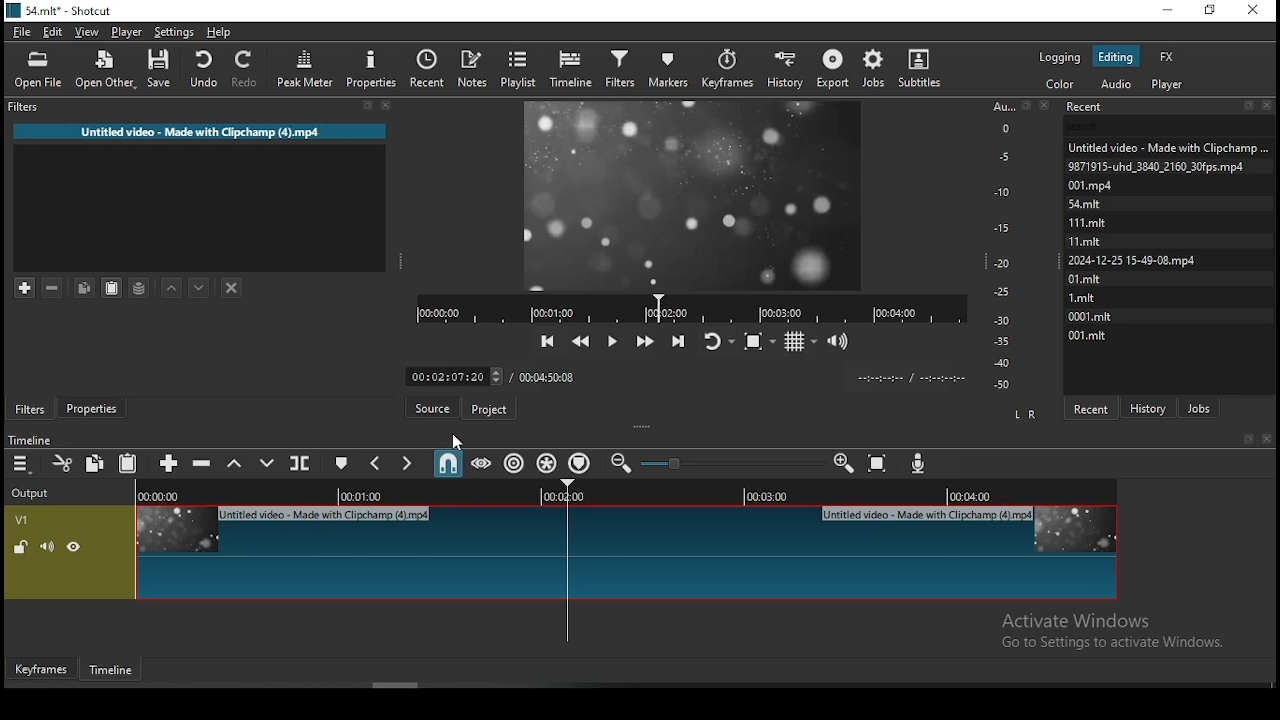 The height and width of the screenshot is (720, 1280). Describe the element at coordinates (371, 68) in the screenshot. I see `properties` at that location.